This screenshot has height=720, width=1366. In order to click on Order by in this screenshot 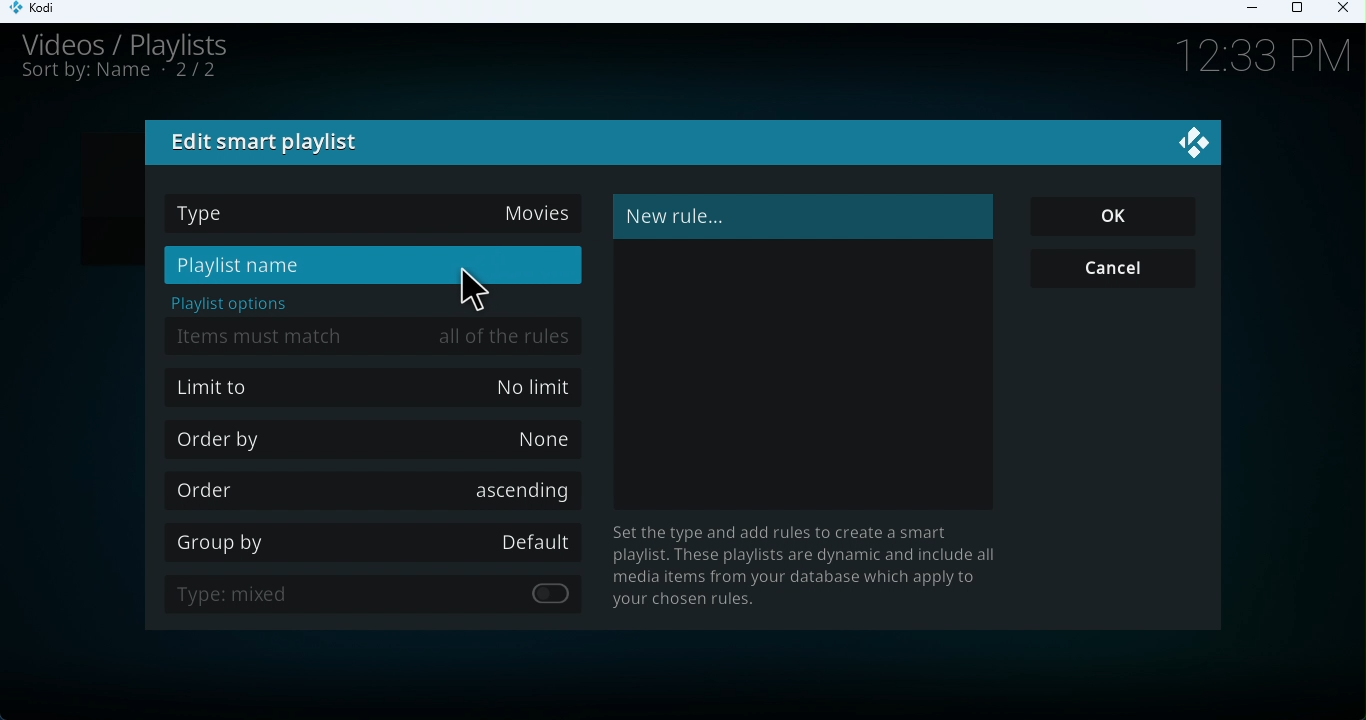, I will do `click(379, 438)`.